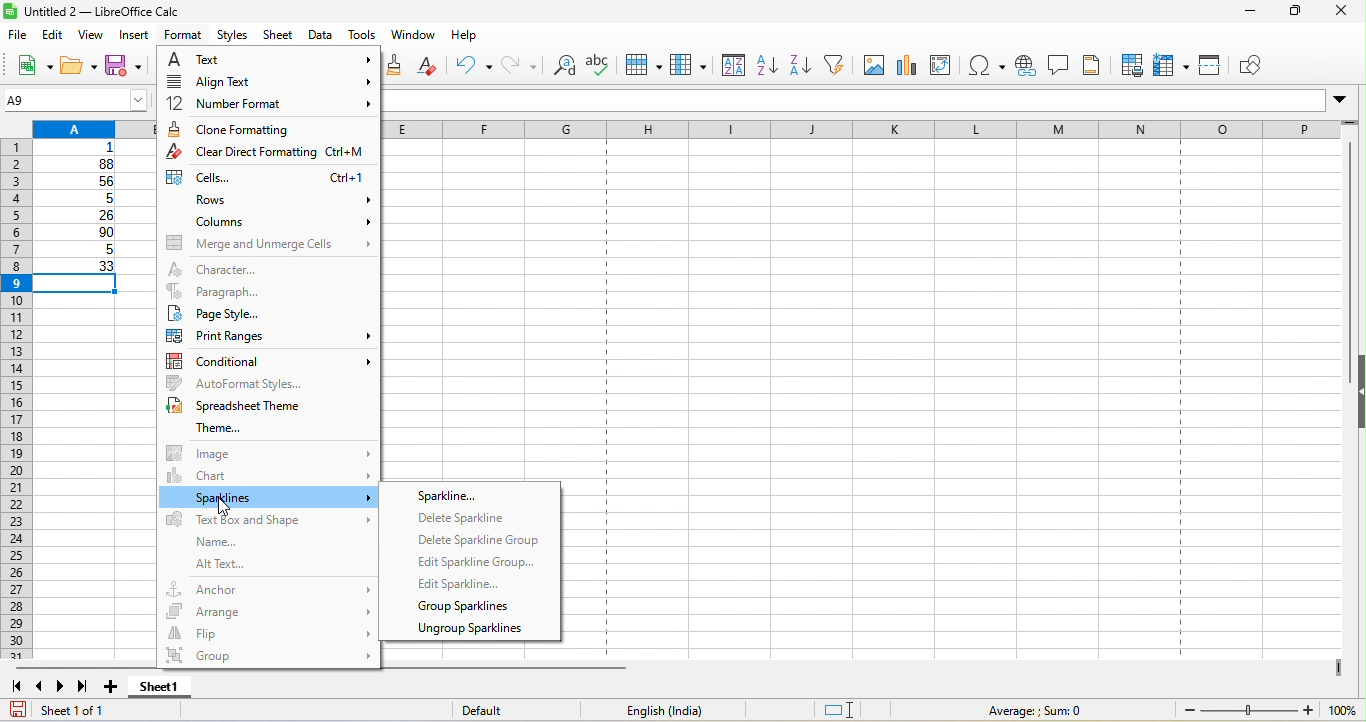 The image size is (1366, 722). I want to click on chart, so click(907, 65).